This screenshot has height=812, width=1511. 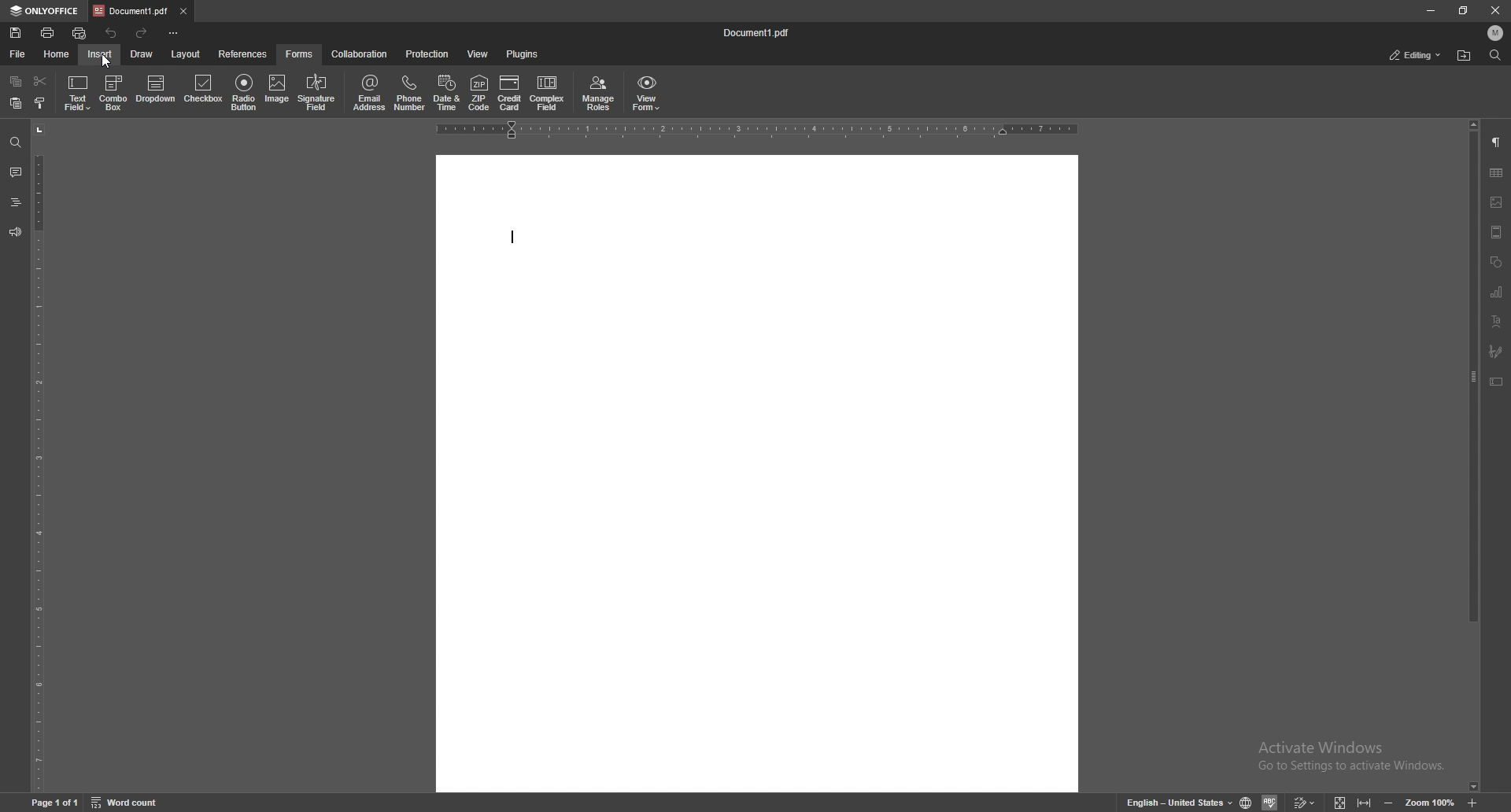 I want to click on comment, so click(x=16, y=172).